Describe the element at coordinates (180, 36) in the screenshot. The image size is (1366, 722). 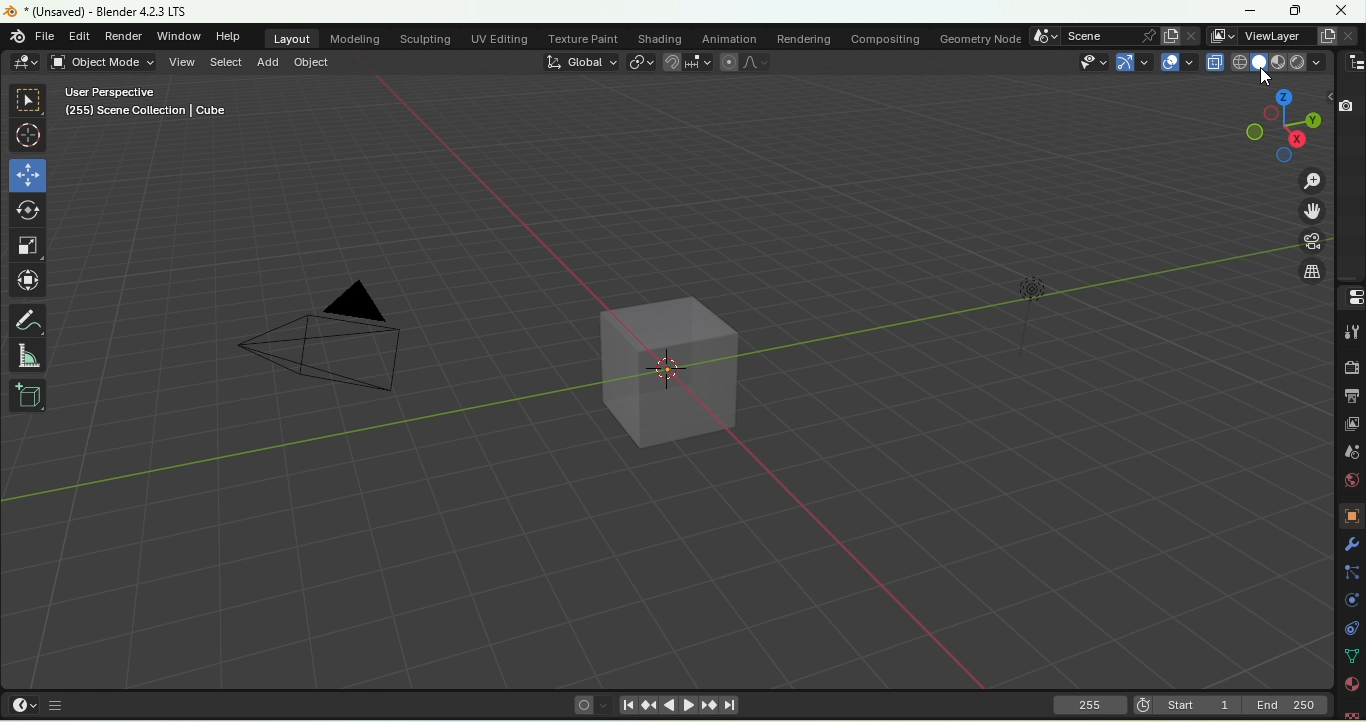
I see `Window` at that location.